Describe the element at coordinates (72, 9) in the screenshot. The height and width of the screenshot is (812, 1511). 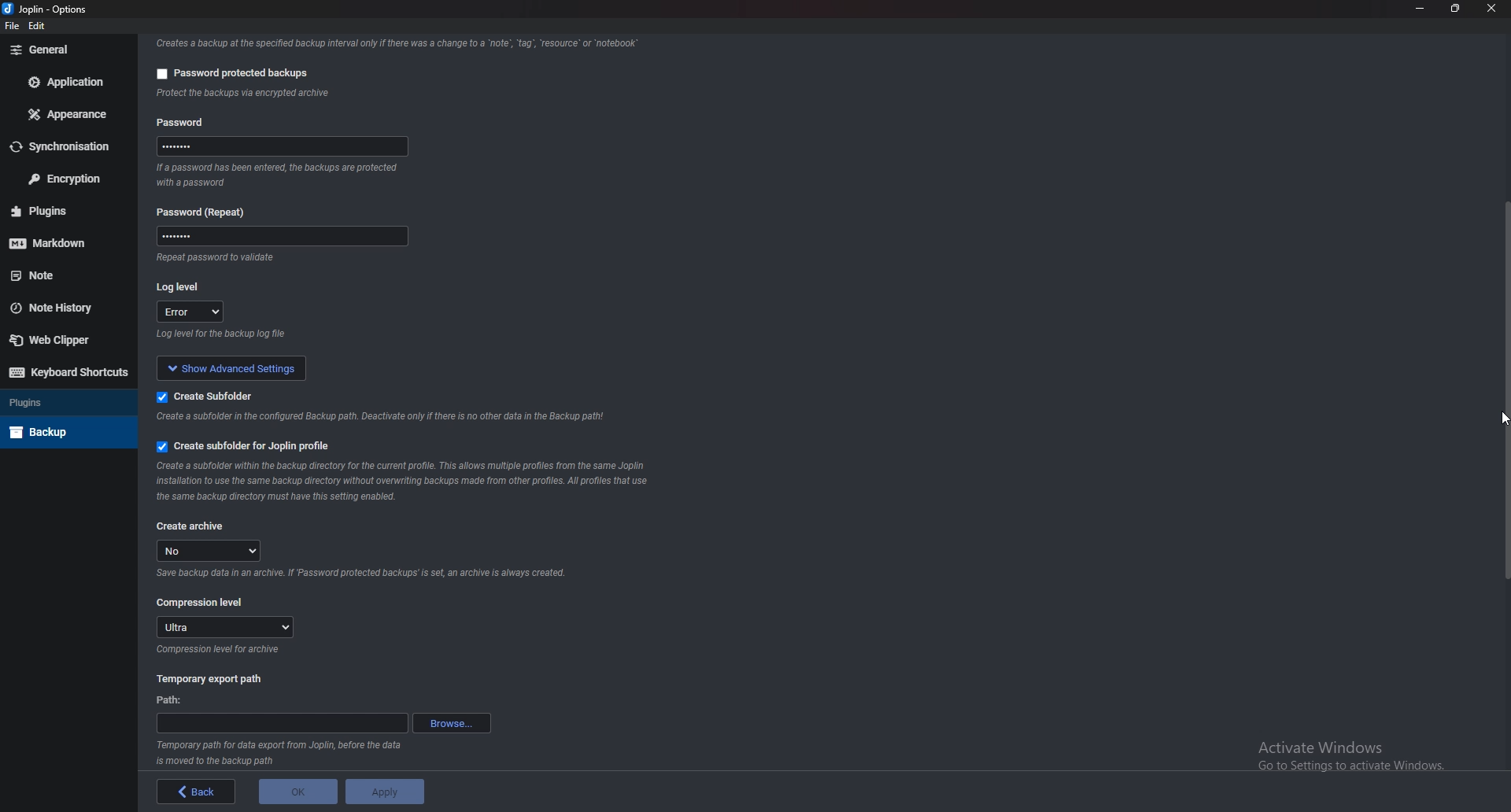
I see `options` at that location.